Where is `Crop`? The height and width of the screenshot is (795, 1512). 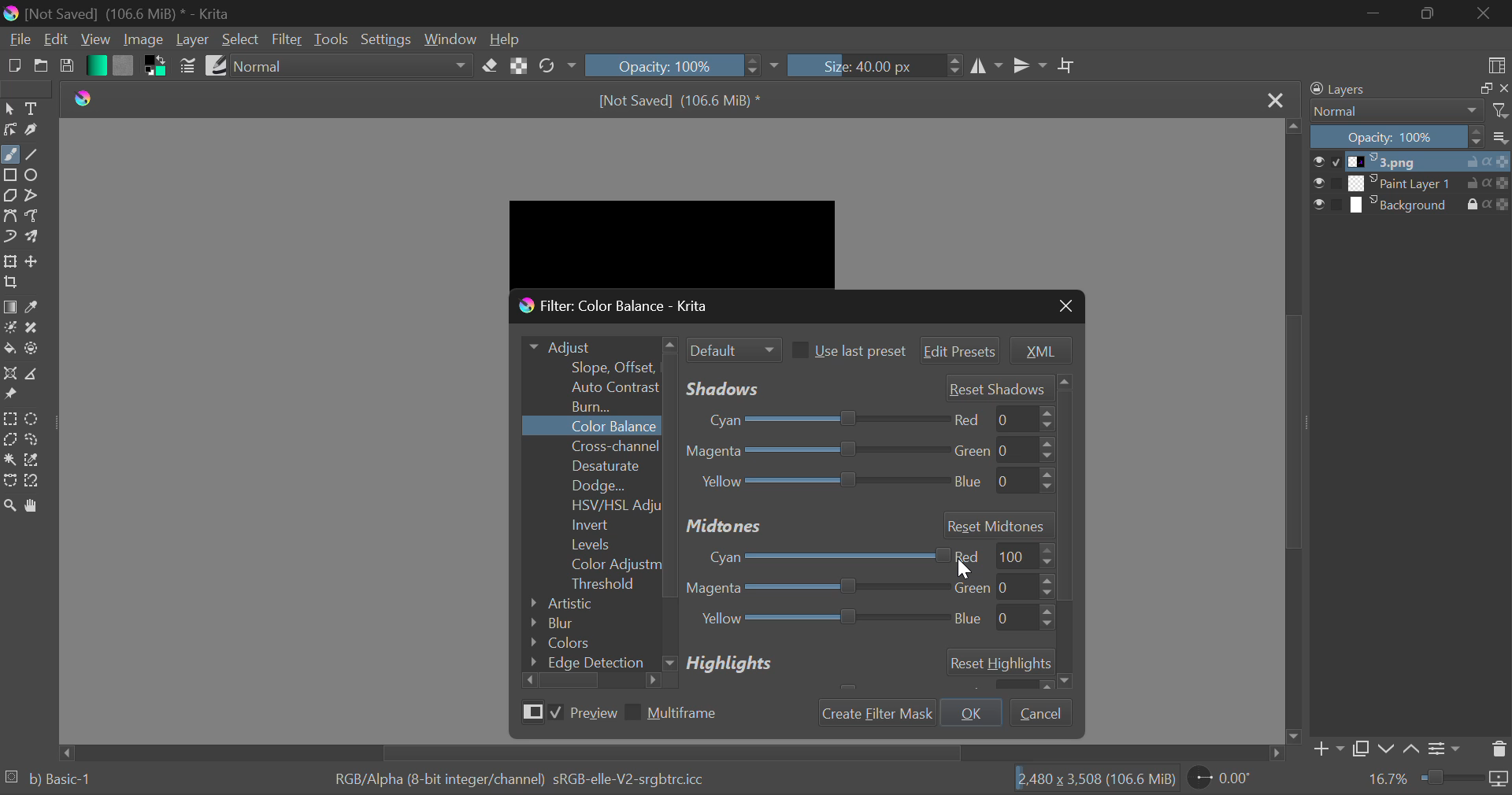 Crop is located at coordinates (13, 283).